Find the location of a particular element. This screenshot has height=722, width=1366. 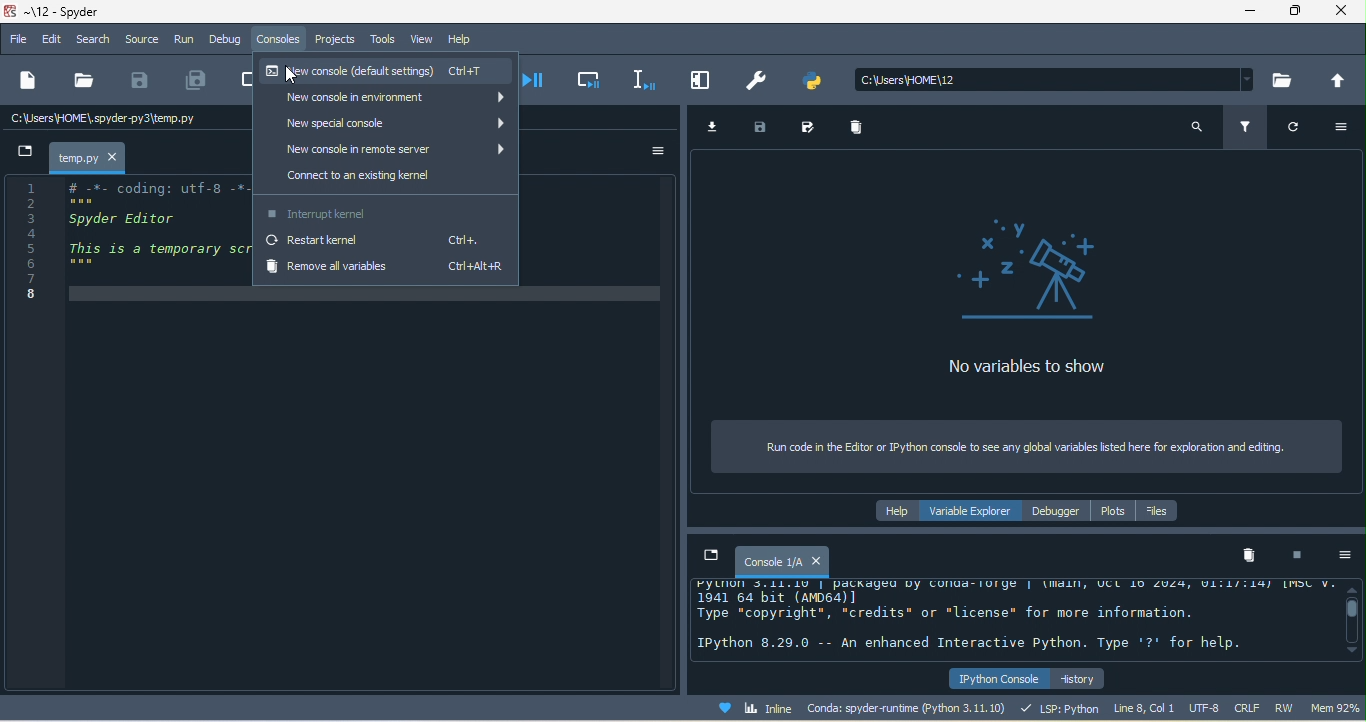

option is located at coordinates (1346, 557).